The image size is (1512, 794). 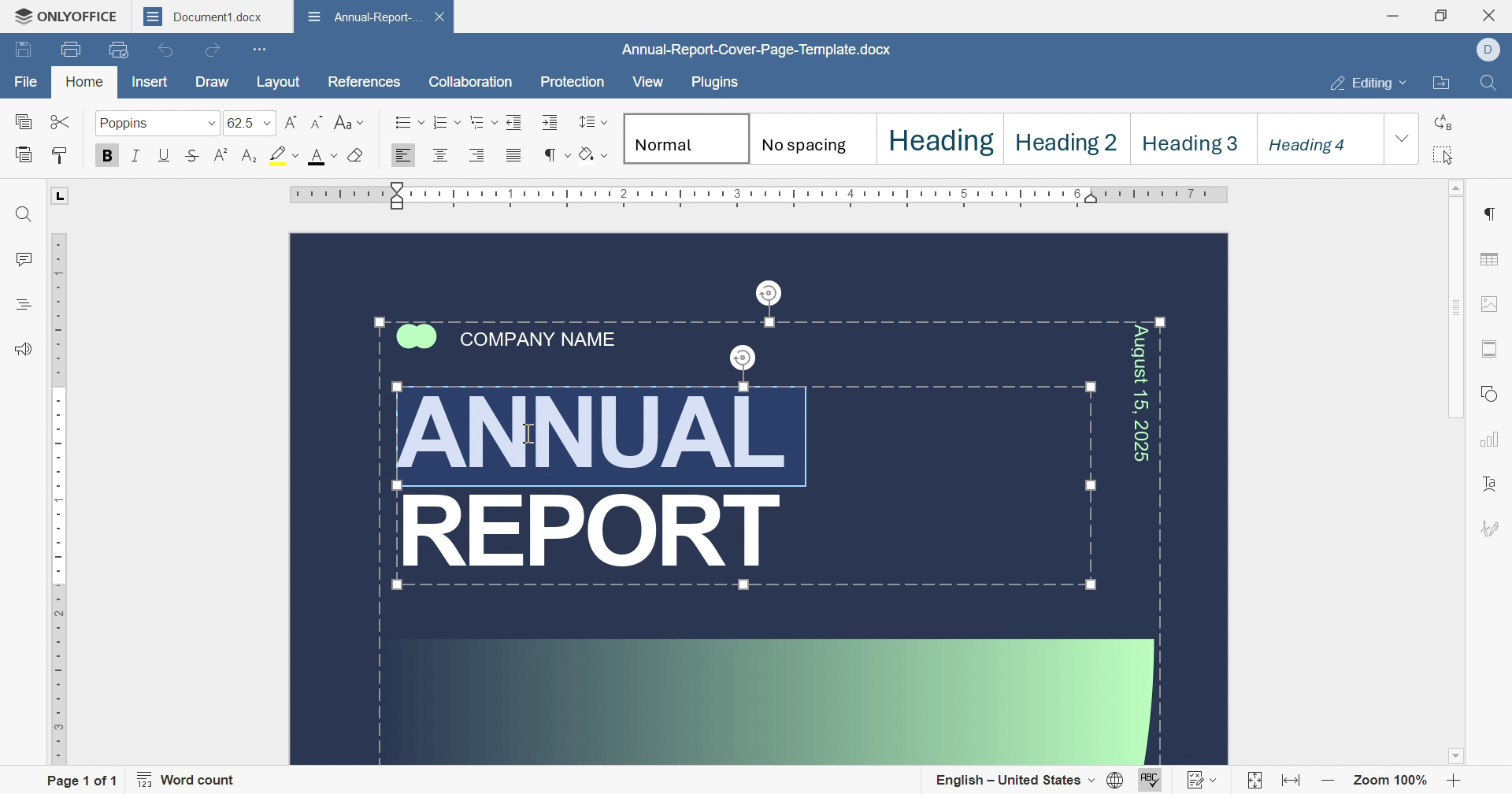 What do you see at coordinates (23, 305) in the screenshot?
I see `headings` at bounding box center [23, 305].